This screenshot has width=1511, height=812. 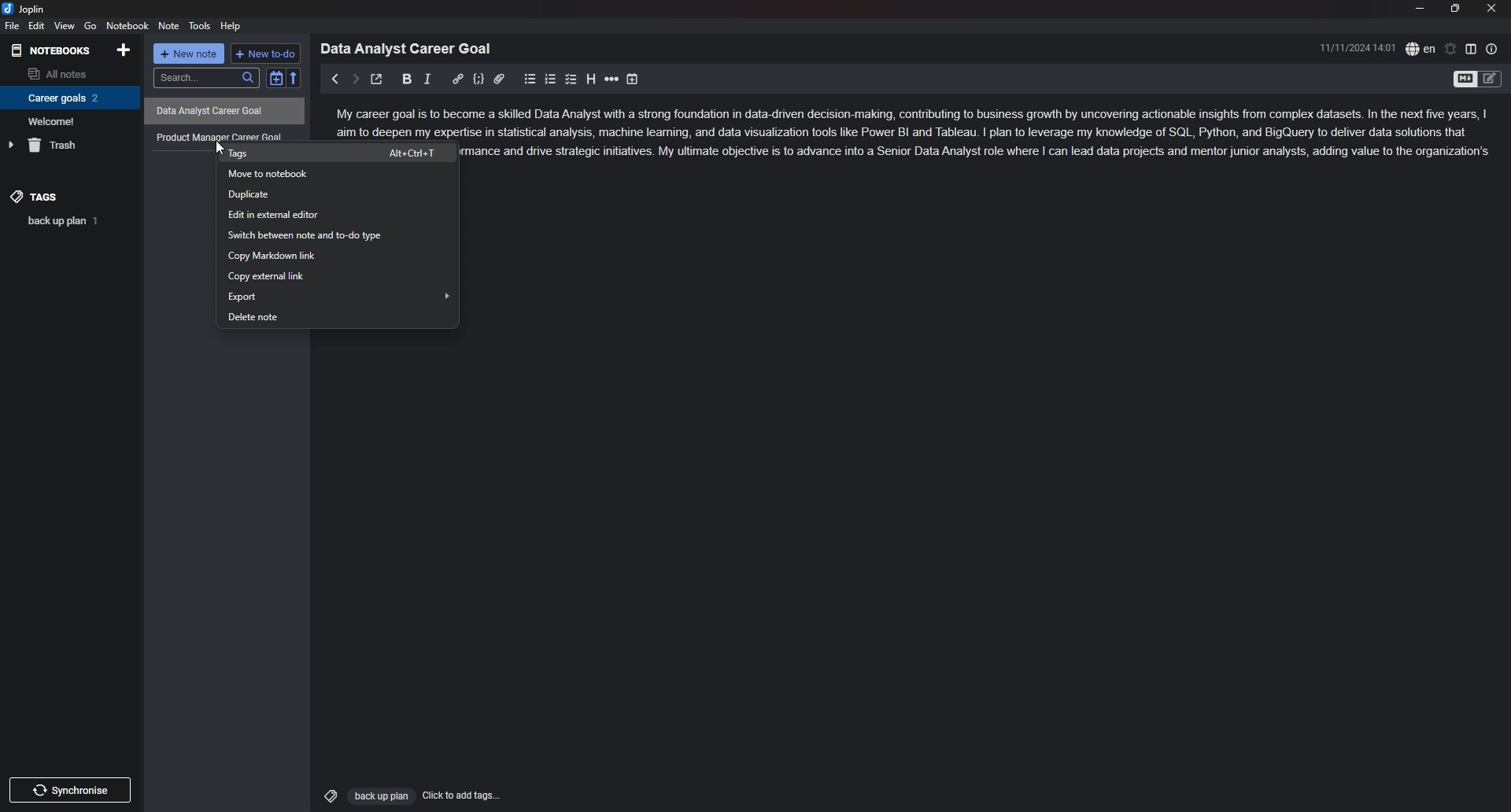 I want to click on heading, so click(x=591, y=79).